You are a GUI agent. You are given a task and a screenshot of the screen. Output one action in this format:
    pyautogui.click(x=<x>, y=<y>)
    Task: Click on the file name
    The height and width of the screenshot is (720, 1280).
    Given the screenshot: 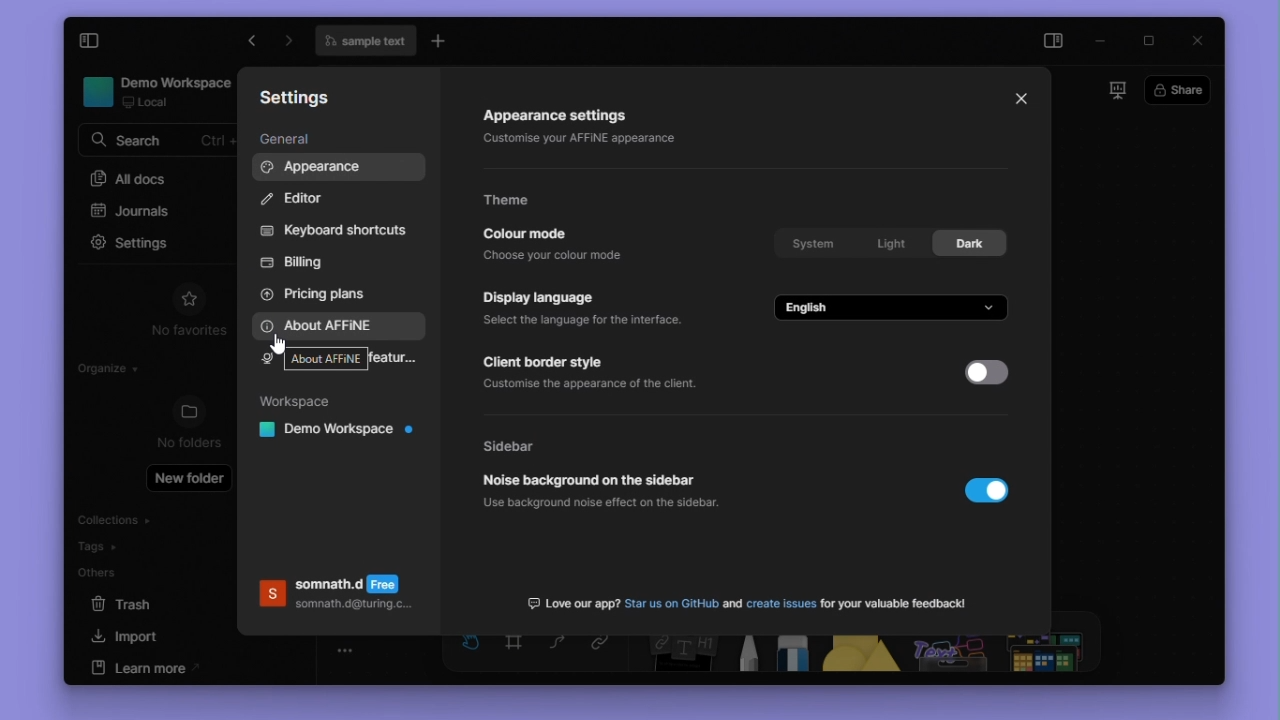 What is the action you would take?
    pyautogui.click(x=365, y=42)
    